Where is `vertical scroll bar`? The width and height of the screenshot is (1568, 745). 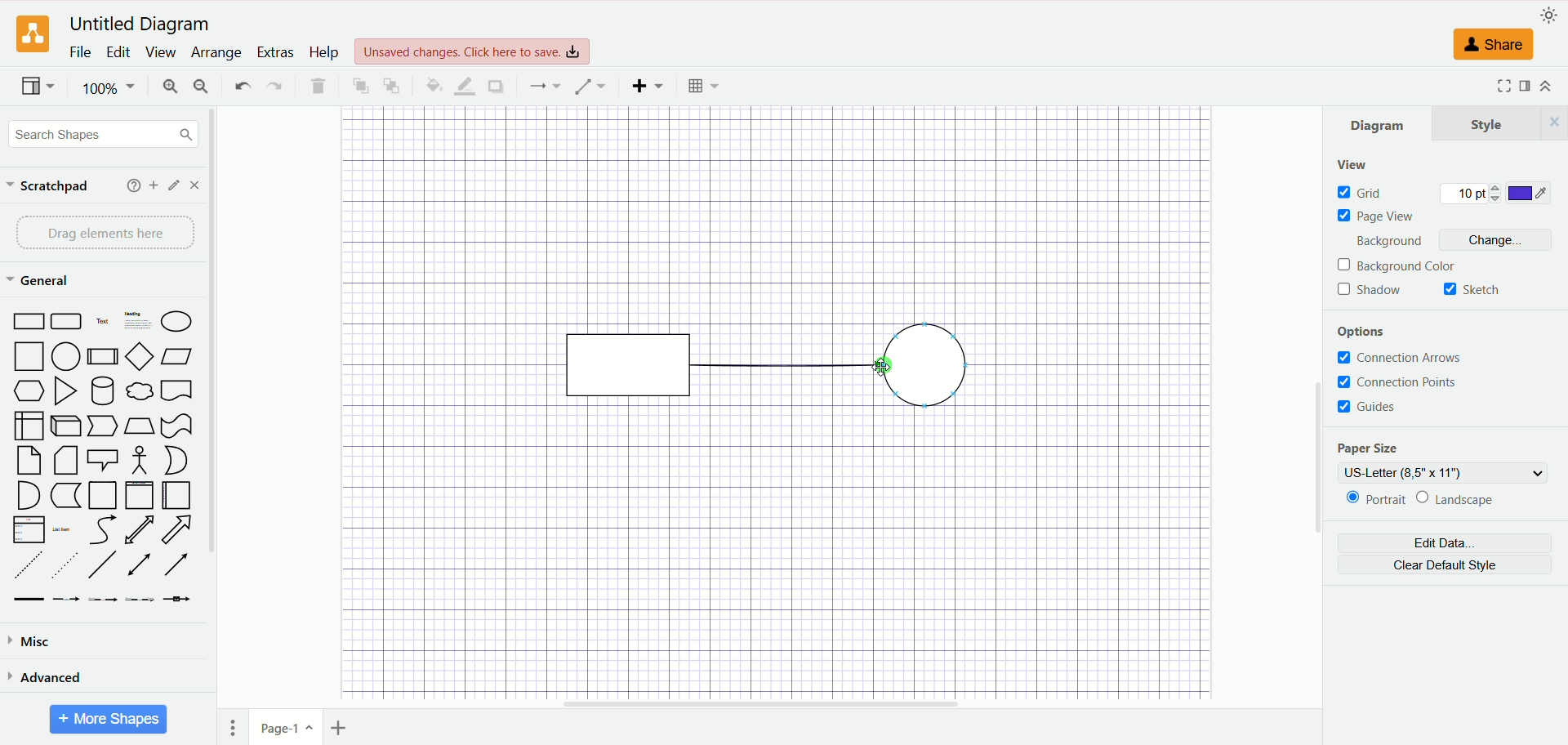 vertical scroll bar is located at coordinates (210, 426).